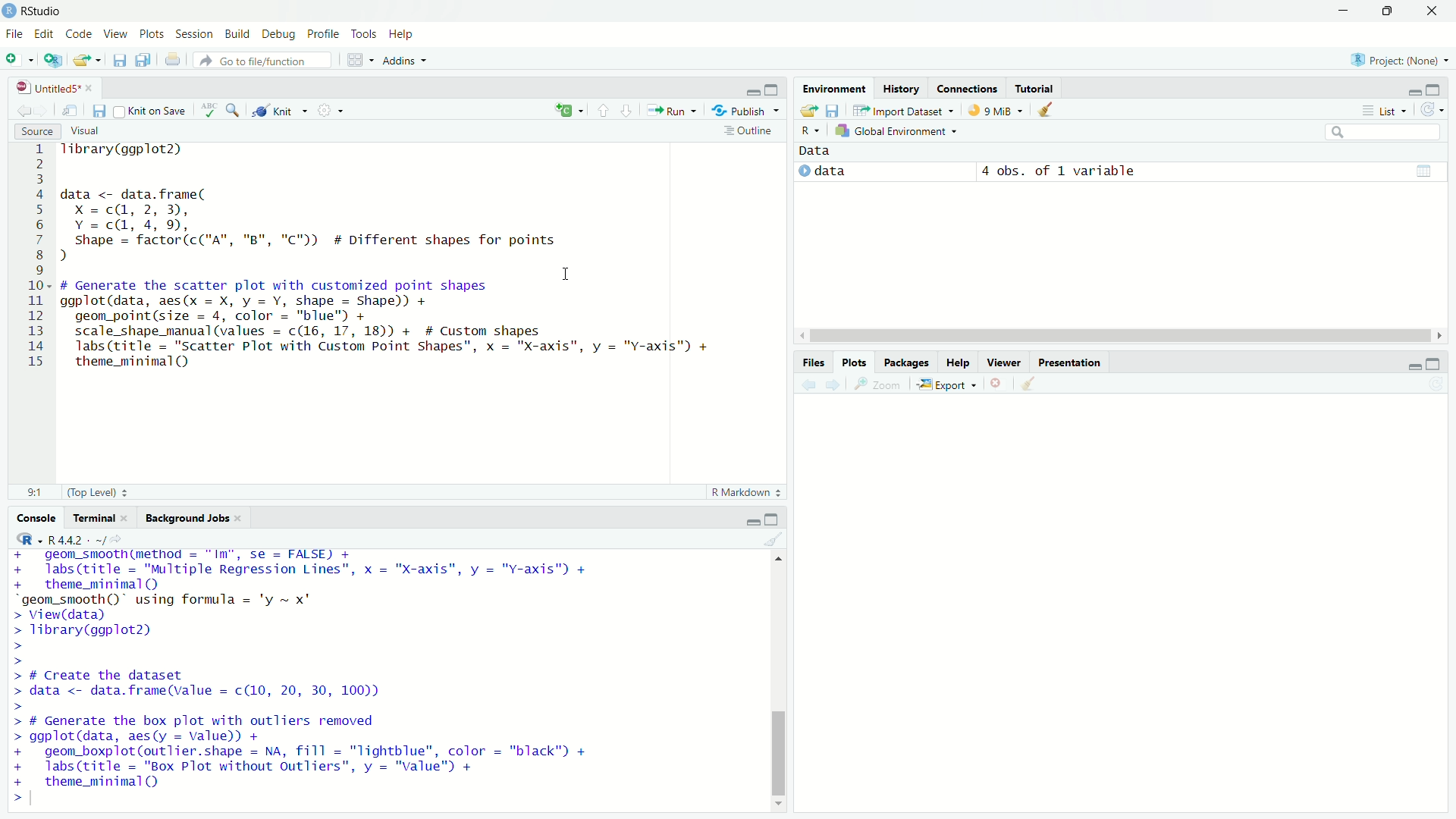  I want to click on Session, so click(193, 34).